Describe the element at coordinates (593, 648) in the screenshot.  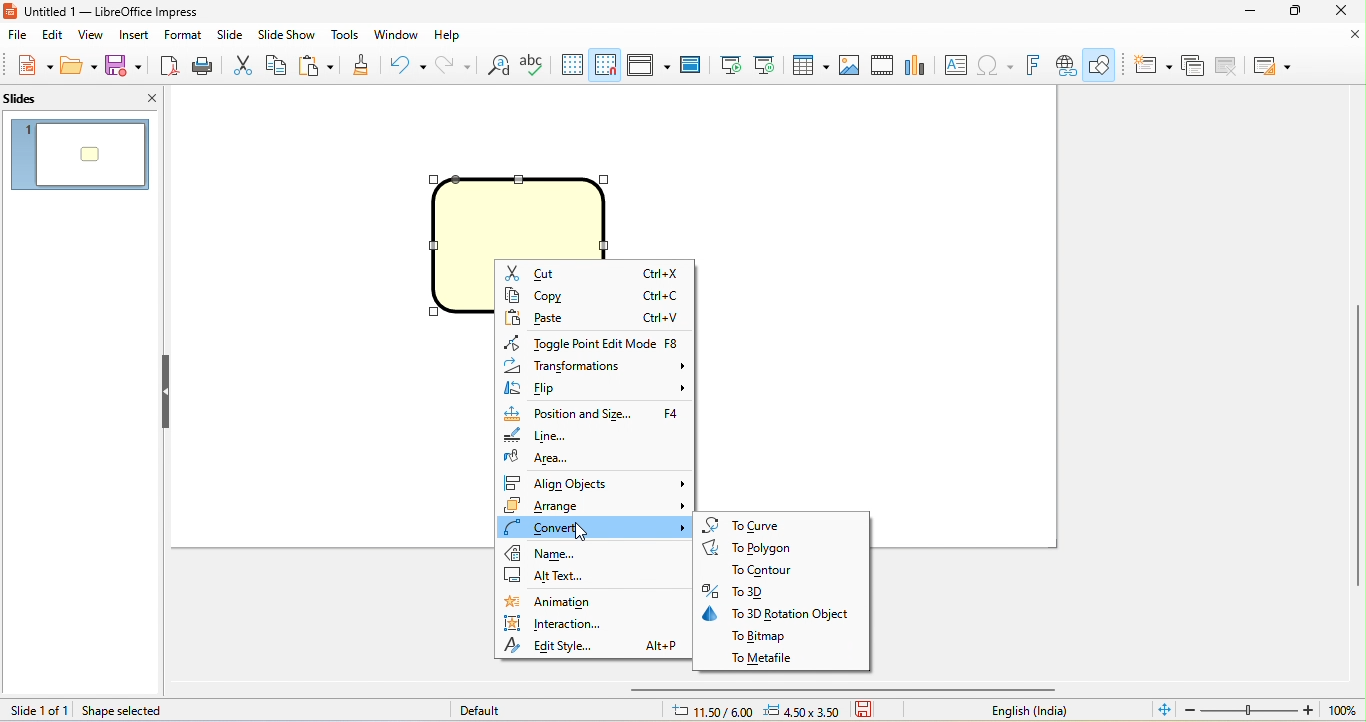
I see `edit style` at that location.